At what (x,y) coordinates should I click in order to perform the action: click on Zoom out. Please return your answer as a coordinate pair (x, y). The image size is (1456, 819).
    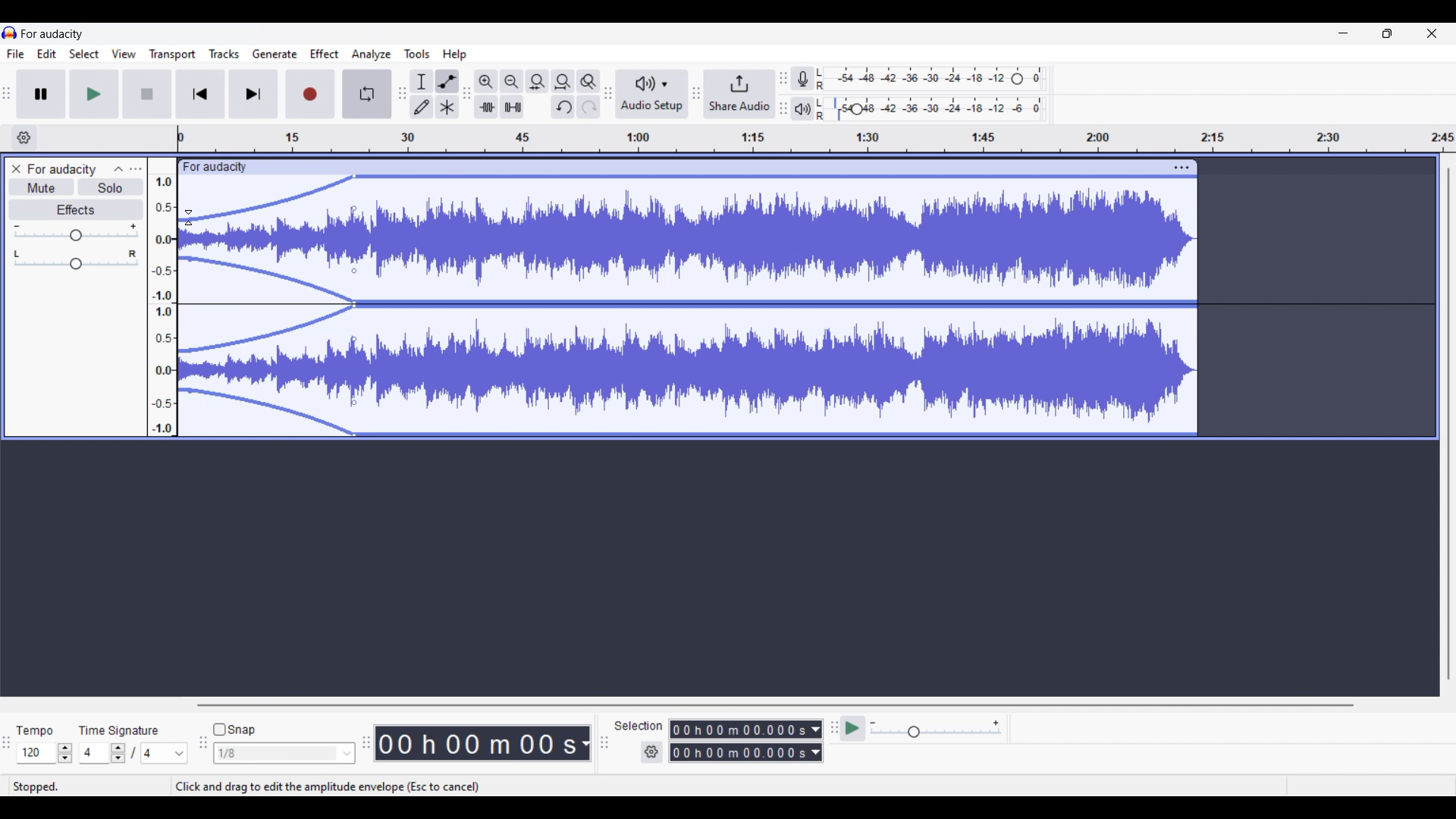
    Looking at the image, I should click on (513, 81).